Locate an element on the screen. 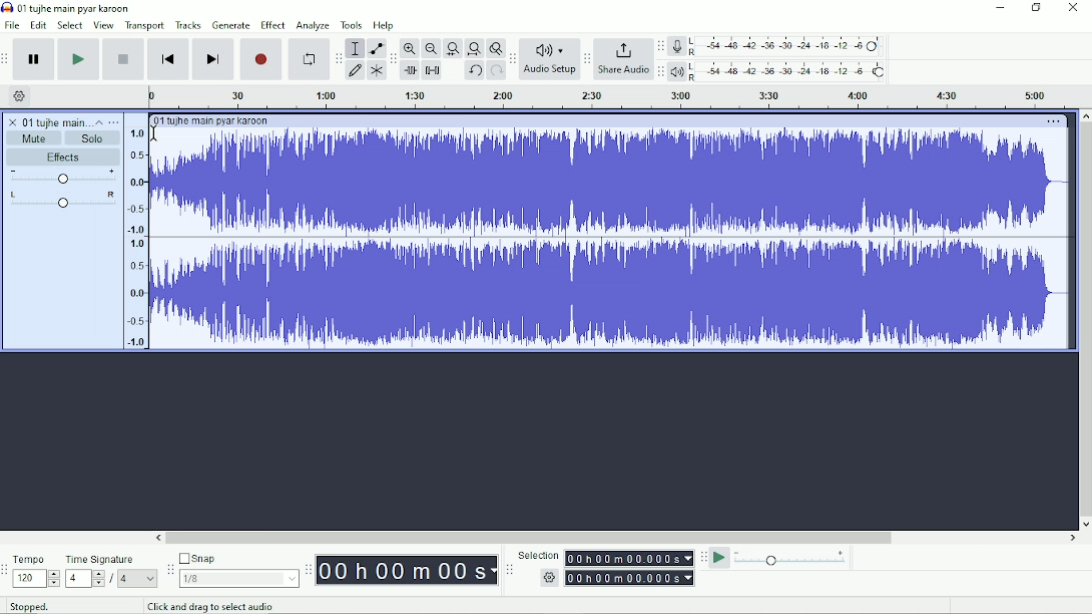  File is located at coordinates (12, 25).